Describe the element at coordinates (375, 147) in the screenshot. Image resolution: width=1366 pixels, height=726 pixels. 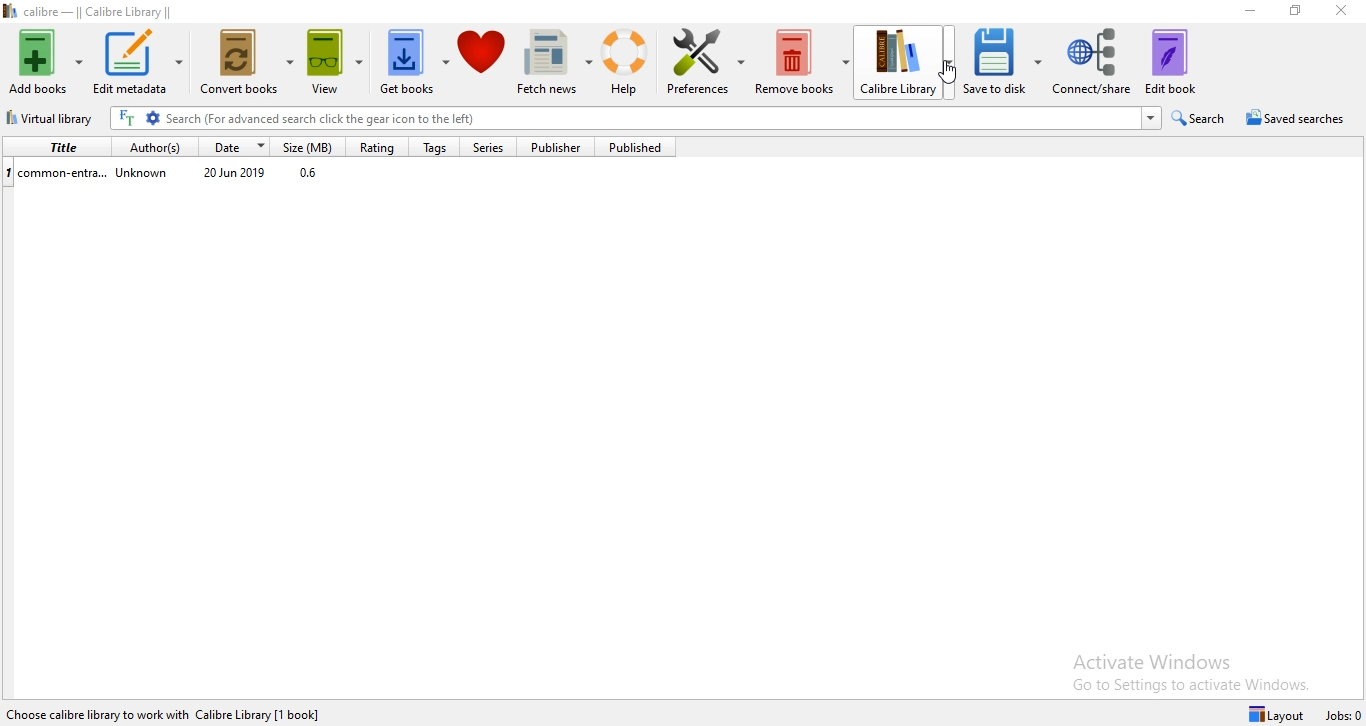
I see `Rating` at that location.